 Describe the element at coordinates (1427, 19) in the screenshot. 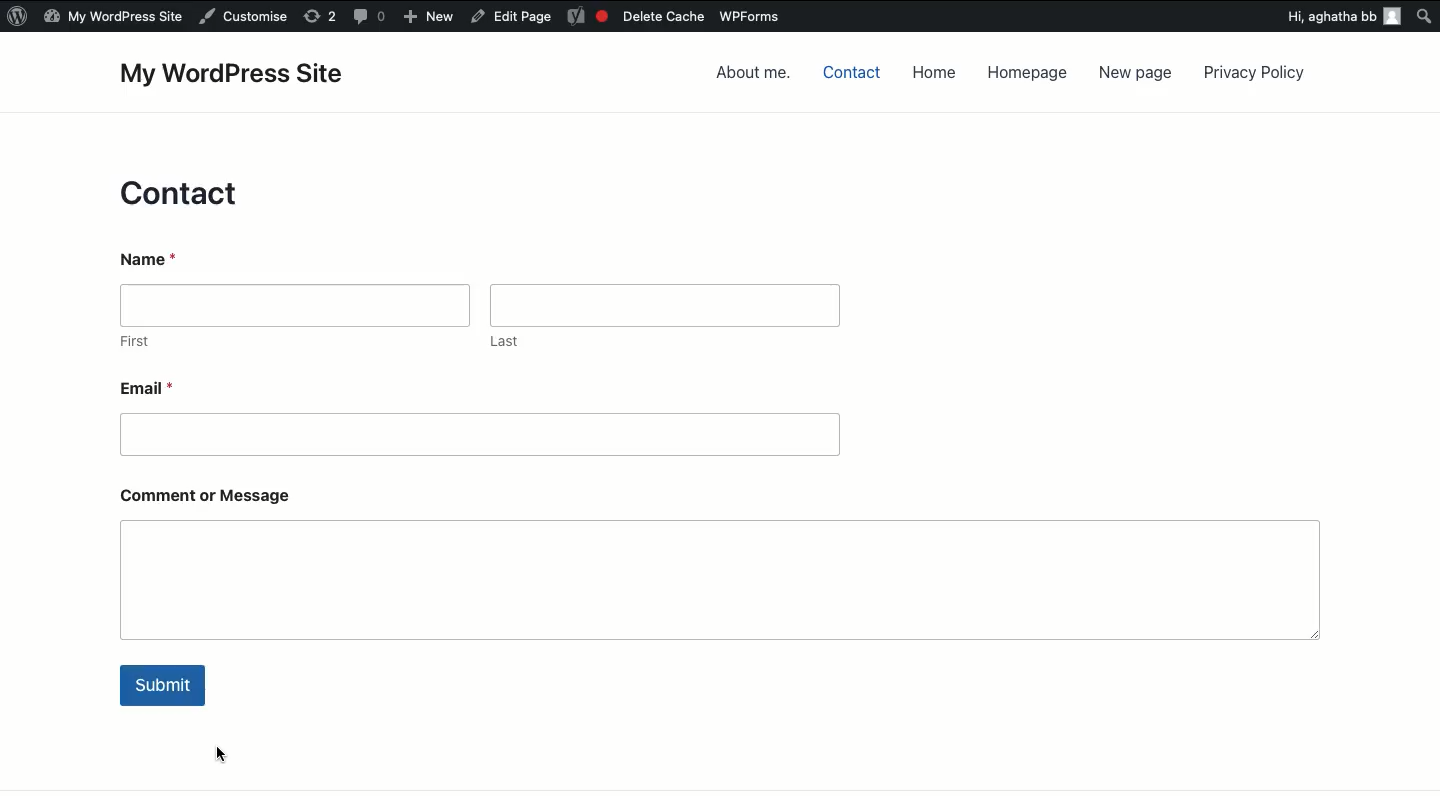

I see `search` at that location.